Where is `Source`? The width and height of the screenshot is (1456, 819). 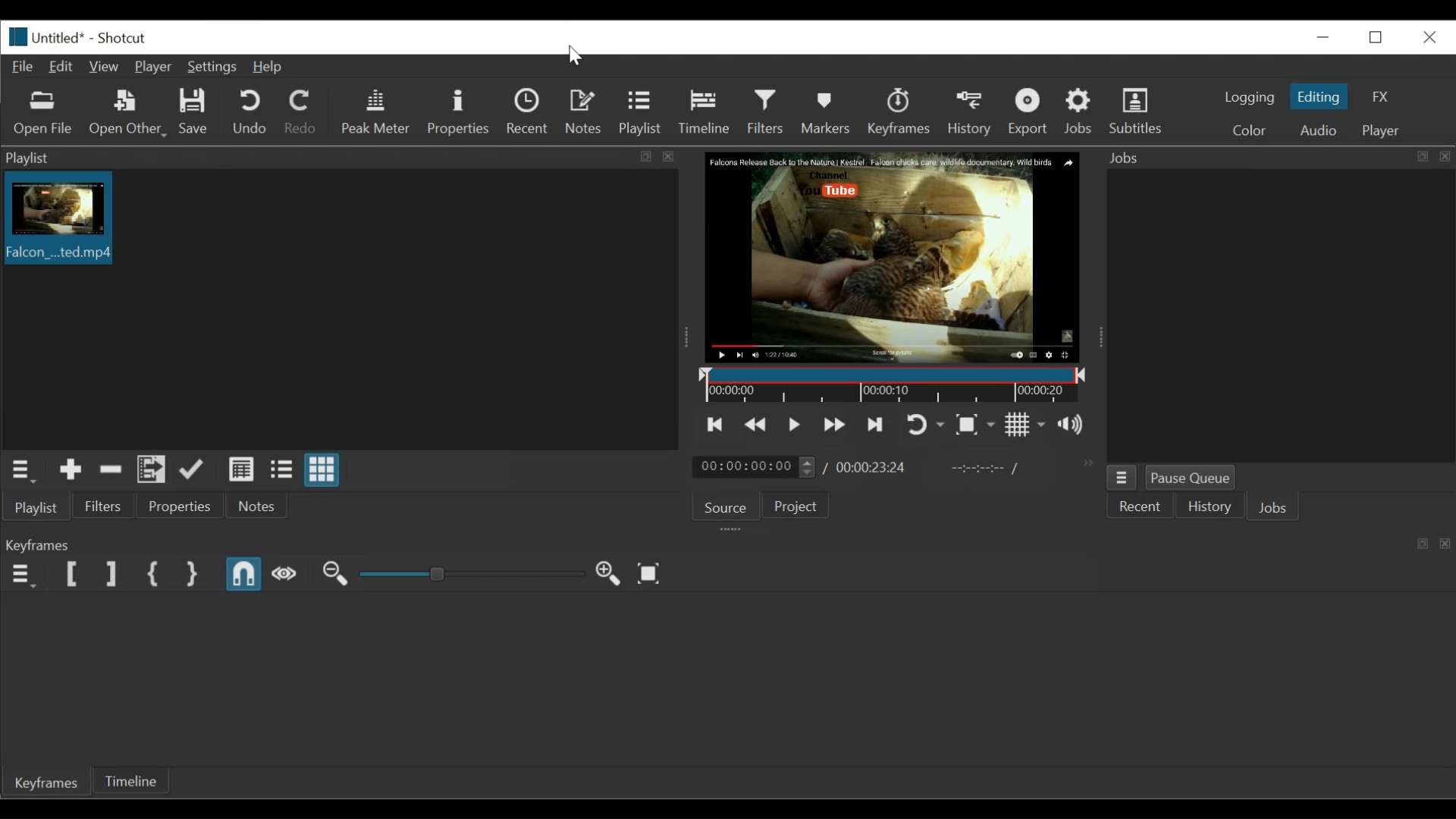
Source is located at coordinates (726, 508).